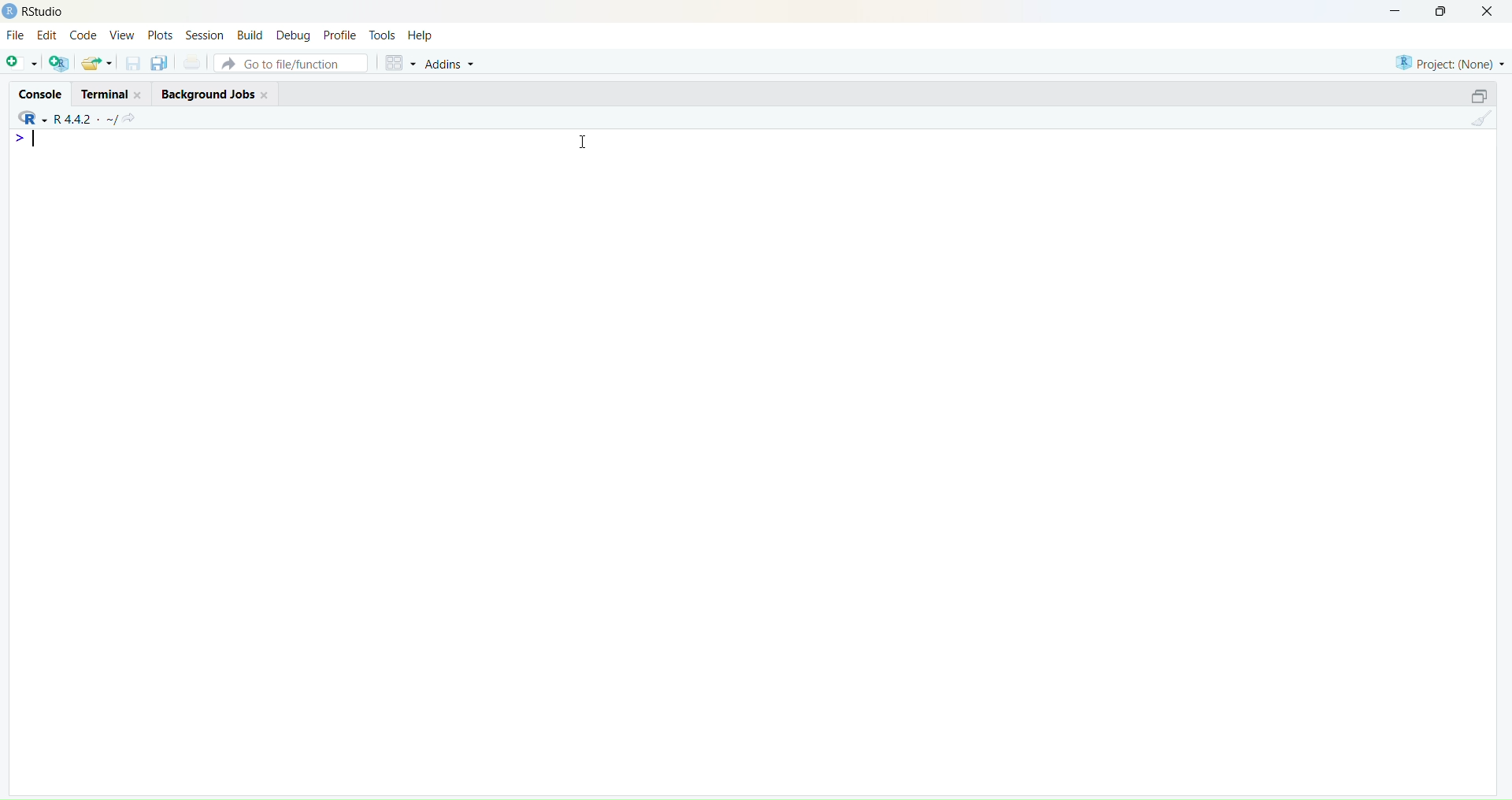 This screenshot has width=1512, height=800. What do you see at coordinates (291, 64) in the screenshot?
I see `go to file/function` at bounding box center [291, 64].